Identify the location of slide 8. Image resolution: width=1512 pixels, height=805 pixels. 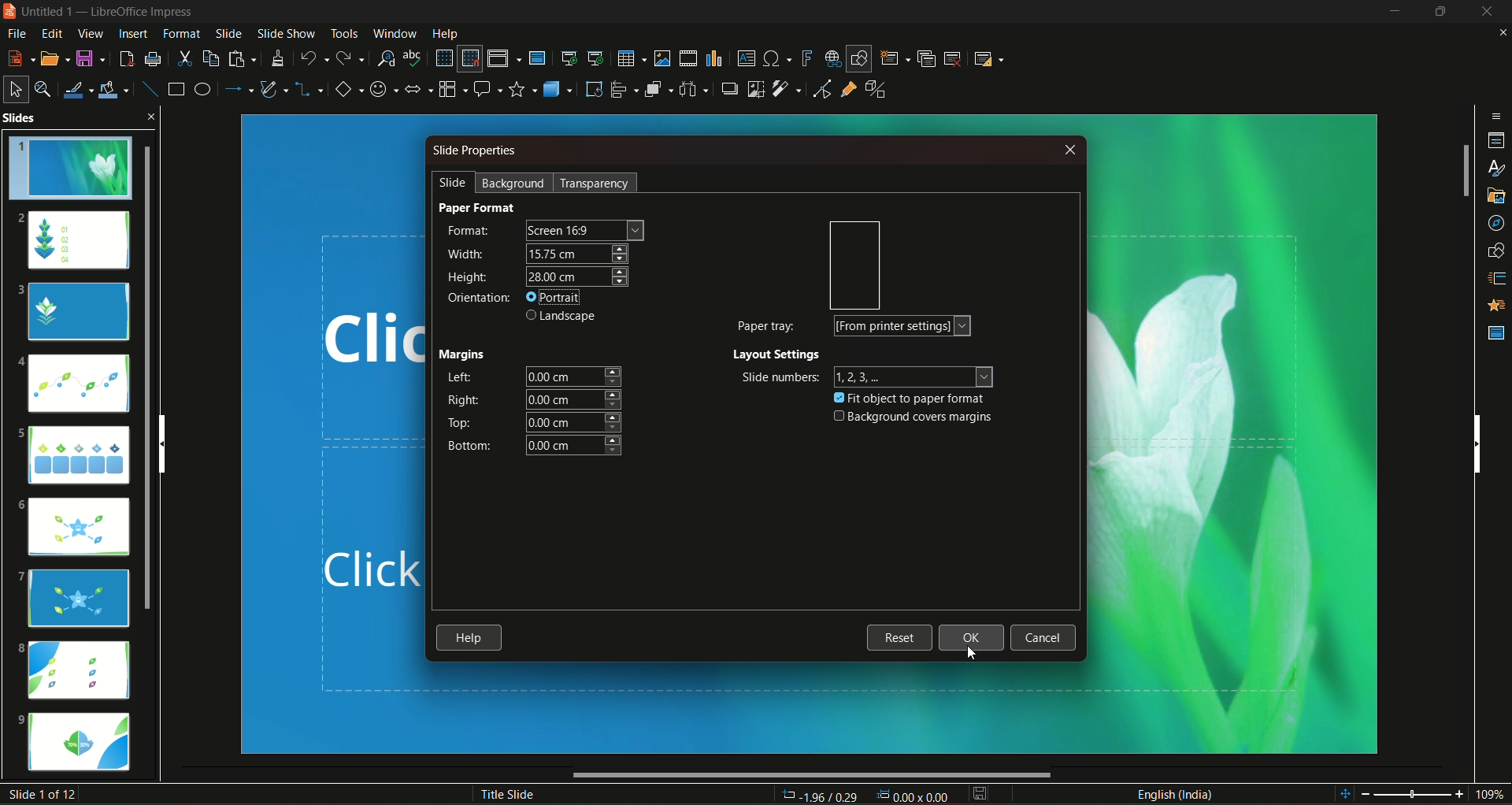
(78, 670).